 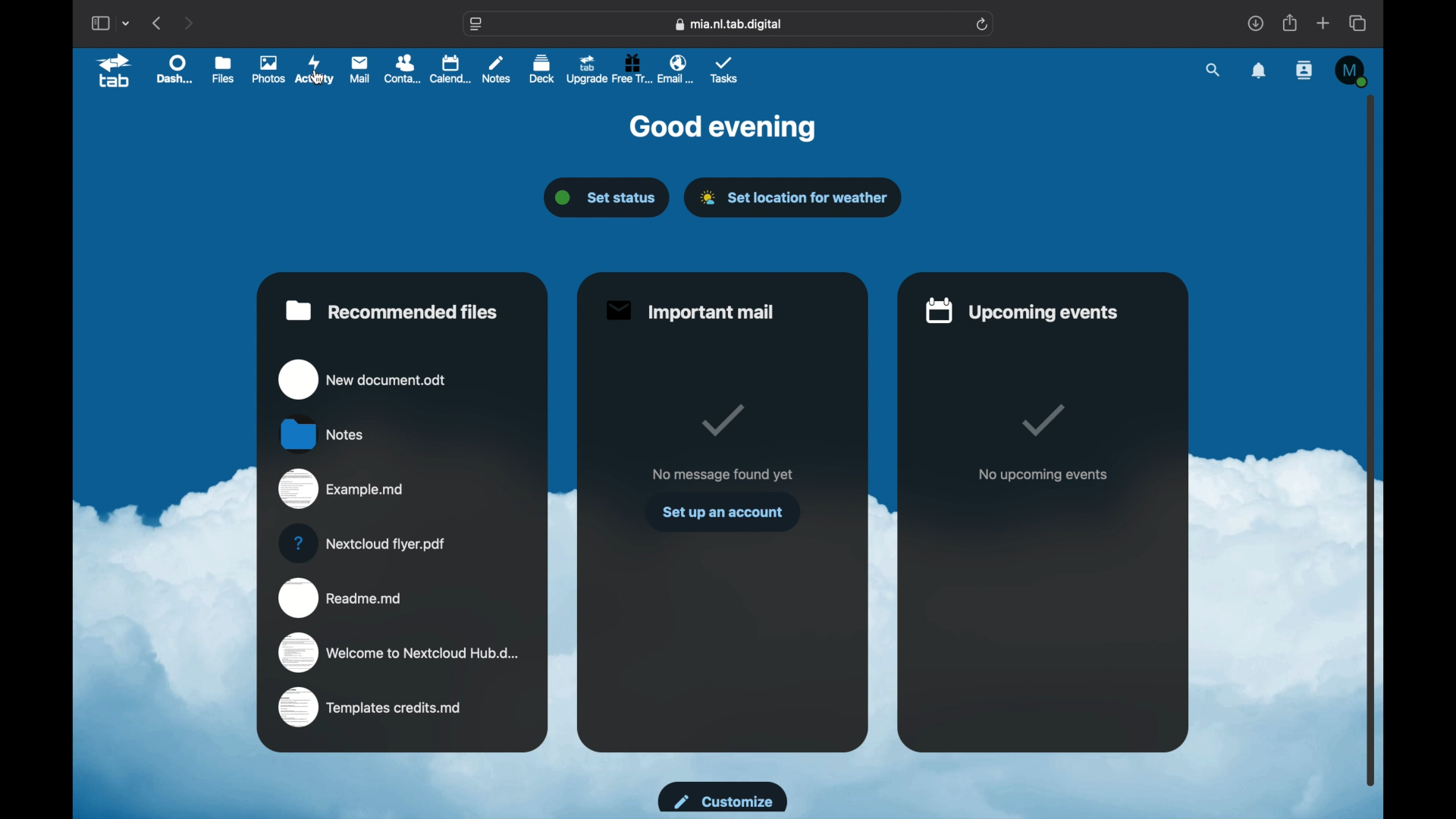 What do you see at coordinates (115, 71) in the screenshot?
I see `tab` at bounding box center [115, 71].